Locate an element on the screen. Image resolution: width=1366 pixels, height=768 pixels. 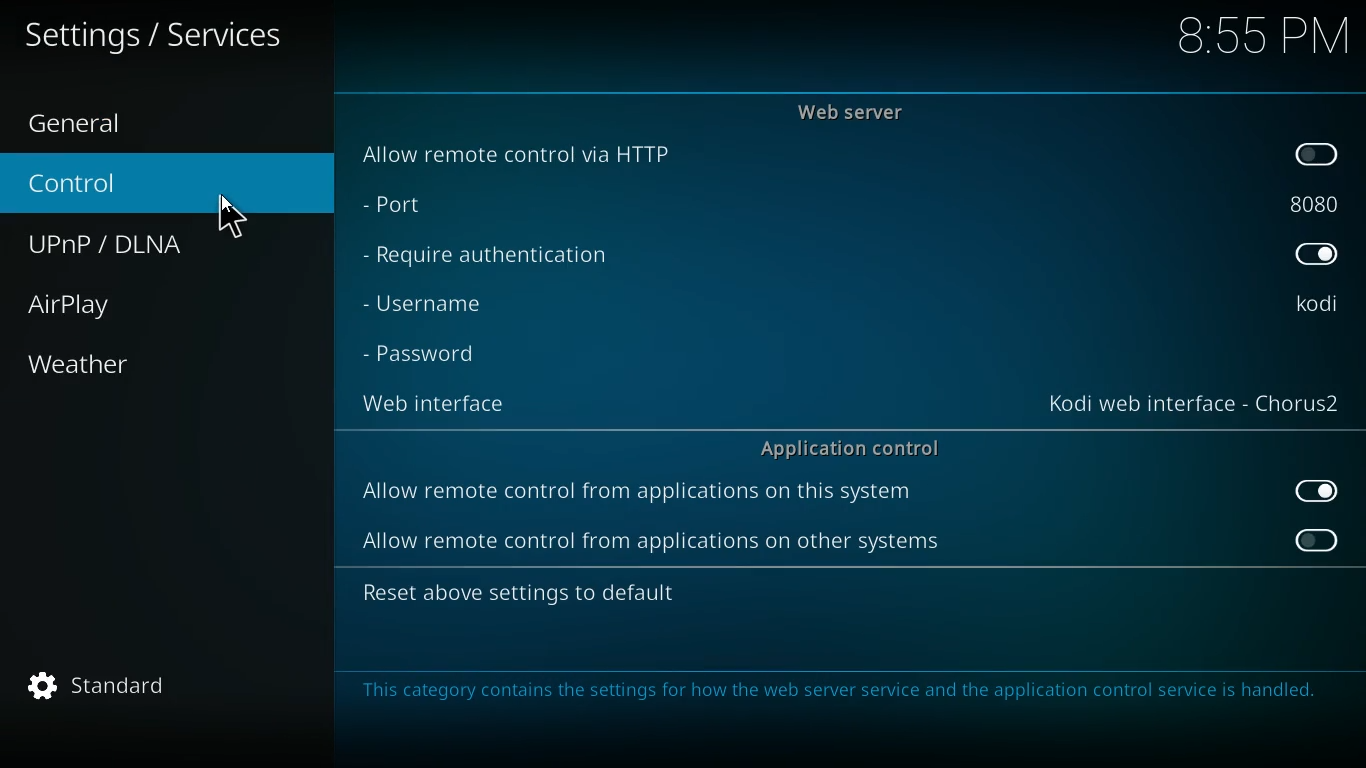
Cursor is located at coordinates (227, 217).